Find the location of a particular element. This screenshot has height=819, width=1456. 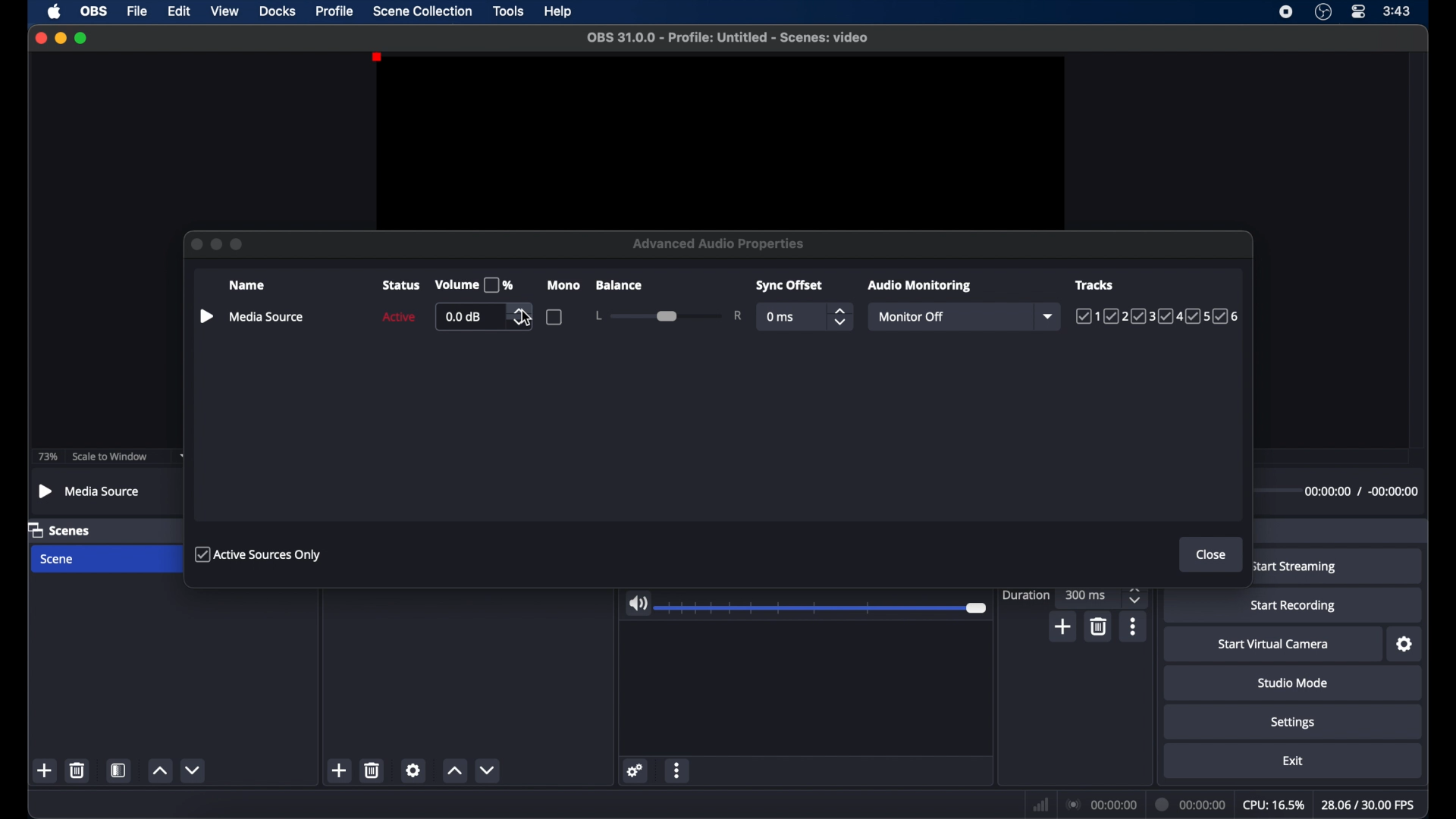

delete is located at coordinates (1100, 627).